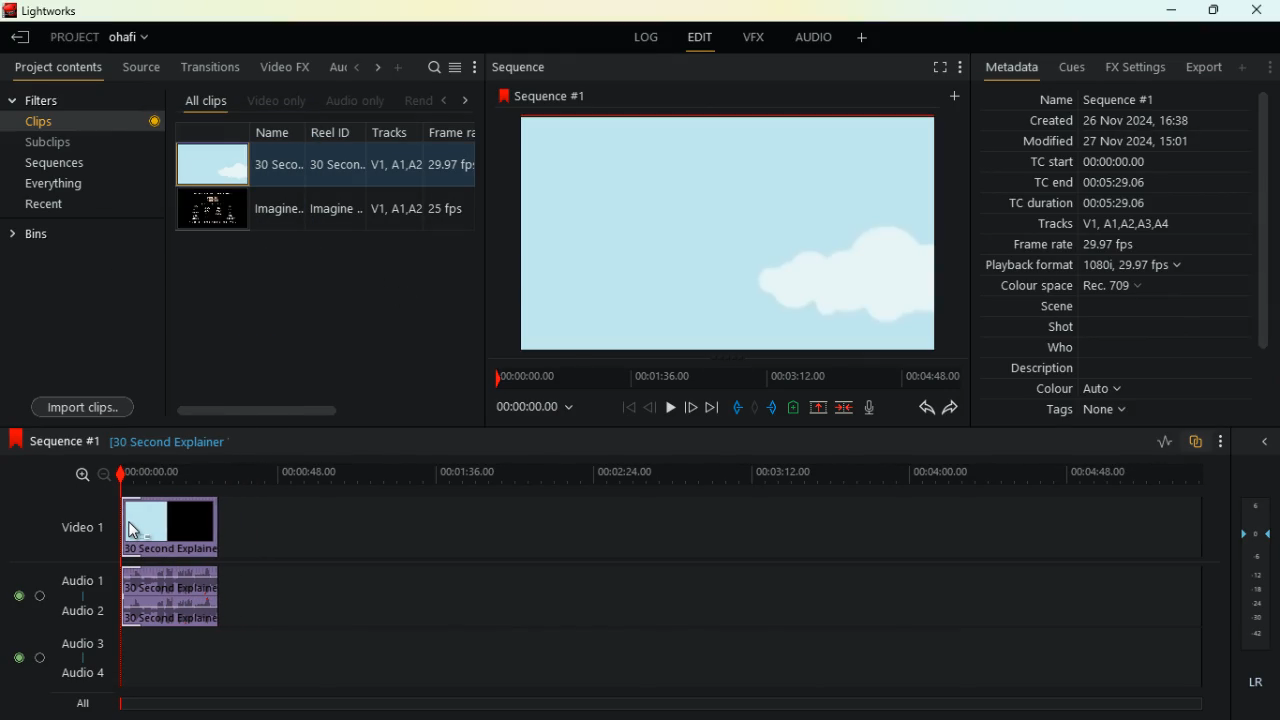 This screenshot has width=1280, height=720. Describe the element at coordinates (1116, 202) in the screenshot. I see `tc duration 00:05:29:06` at that location.